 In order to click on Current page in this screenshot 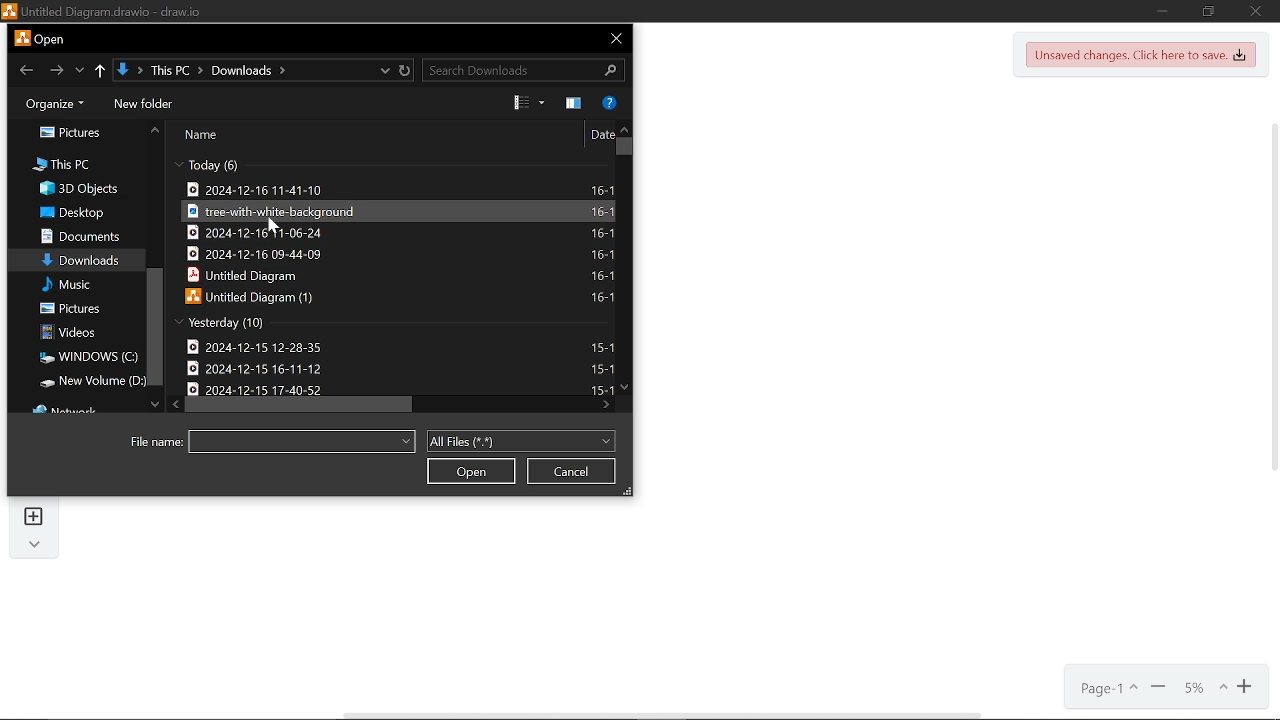, I will do `click(1102, 689)`.